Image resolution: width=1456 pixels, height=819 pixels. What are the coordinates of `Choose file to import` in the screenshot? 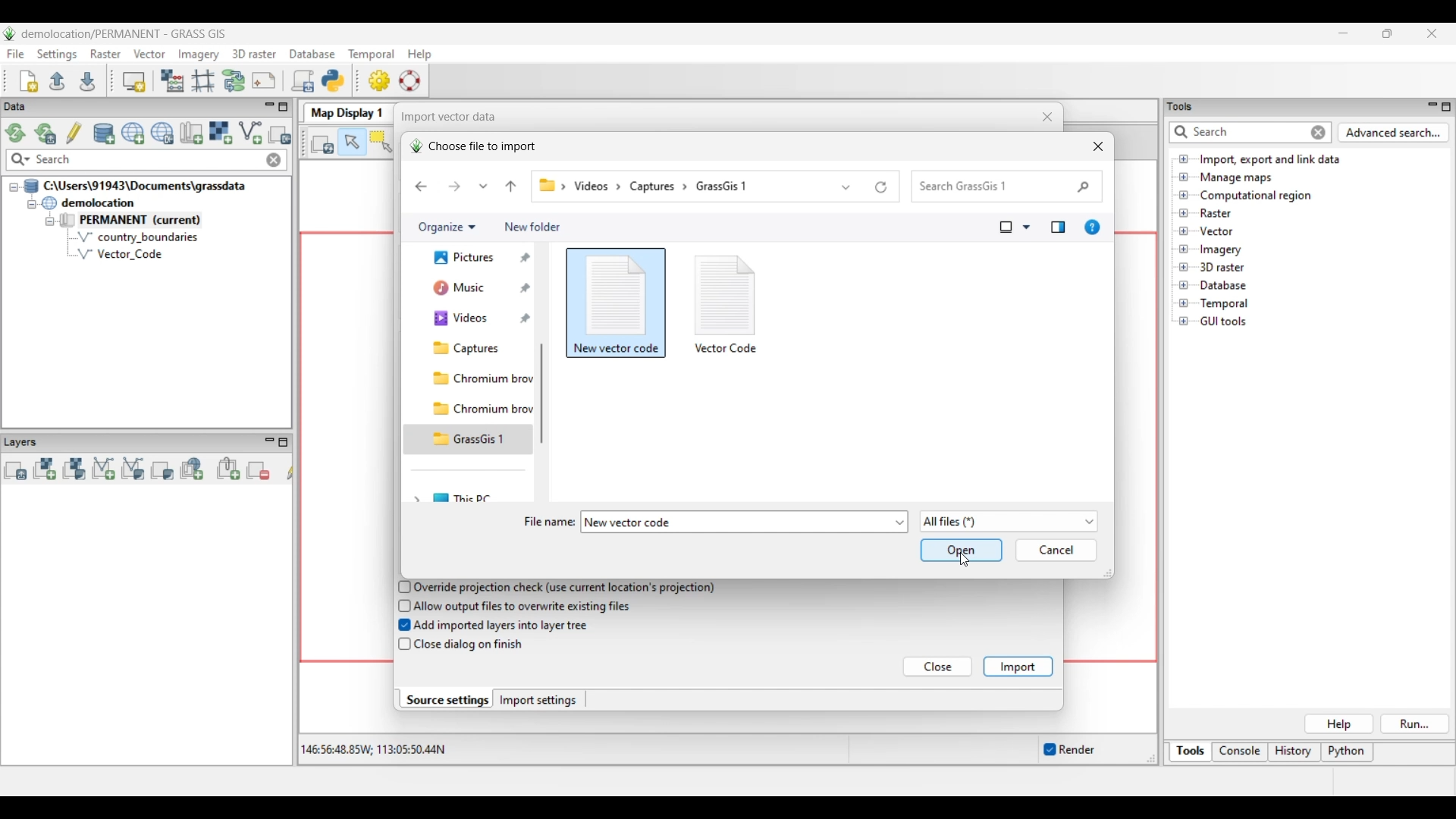 It's located at (472, 146).